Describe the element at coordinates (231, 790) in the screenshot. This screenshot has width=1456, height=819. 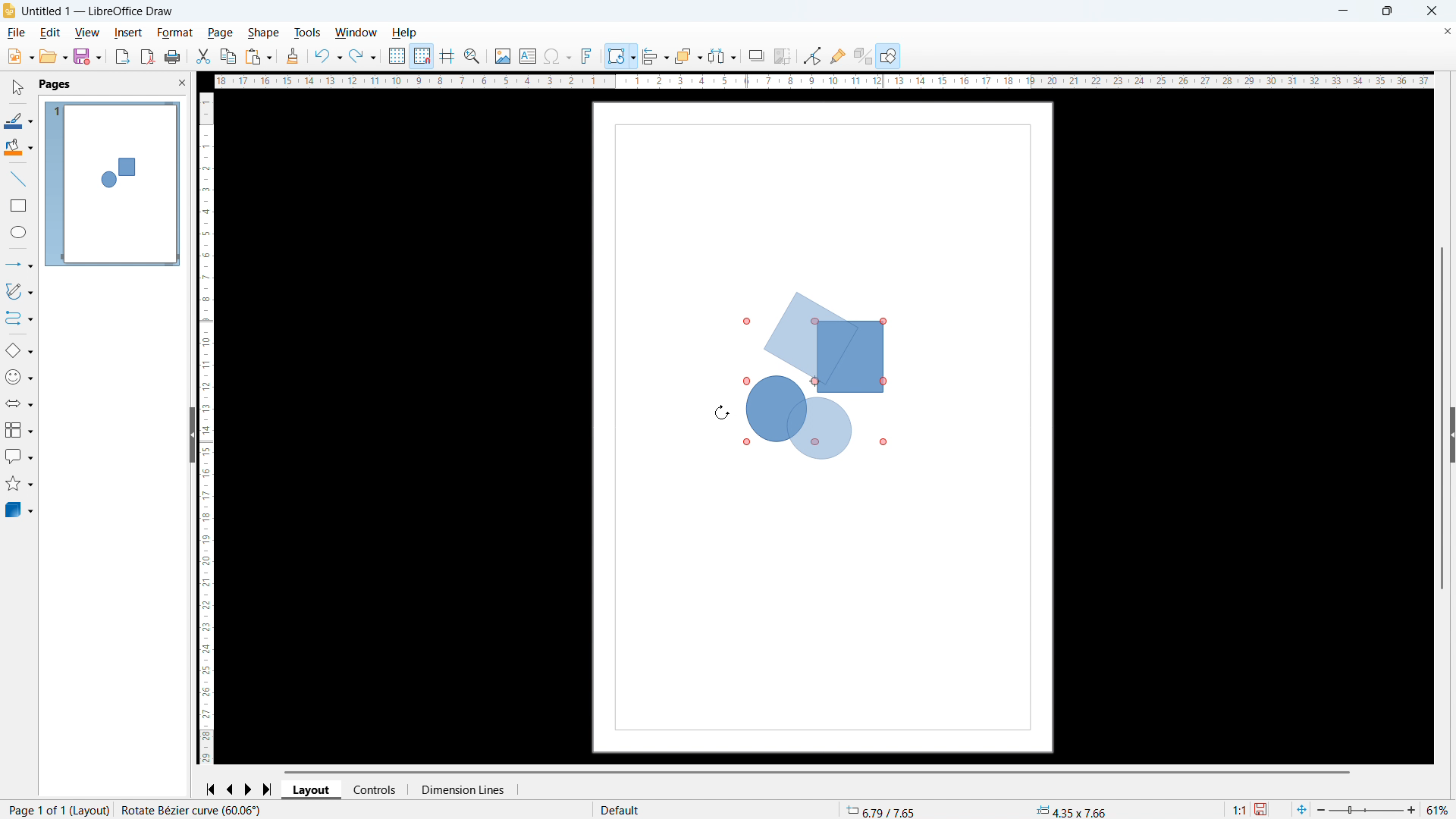
I see `Previous page ` at that location.